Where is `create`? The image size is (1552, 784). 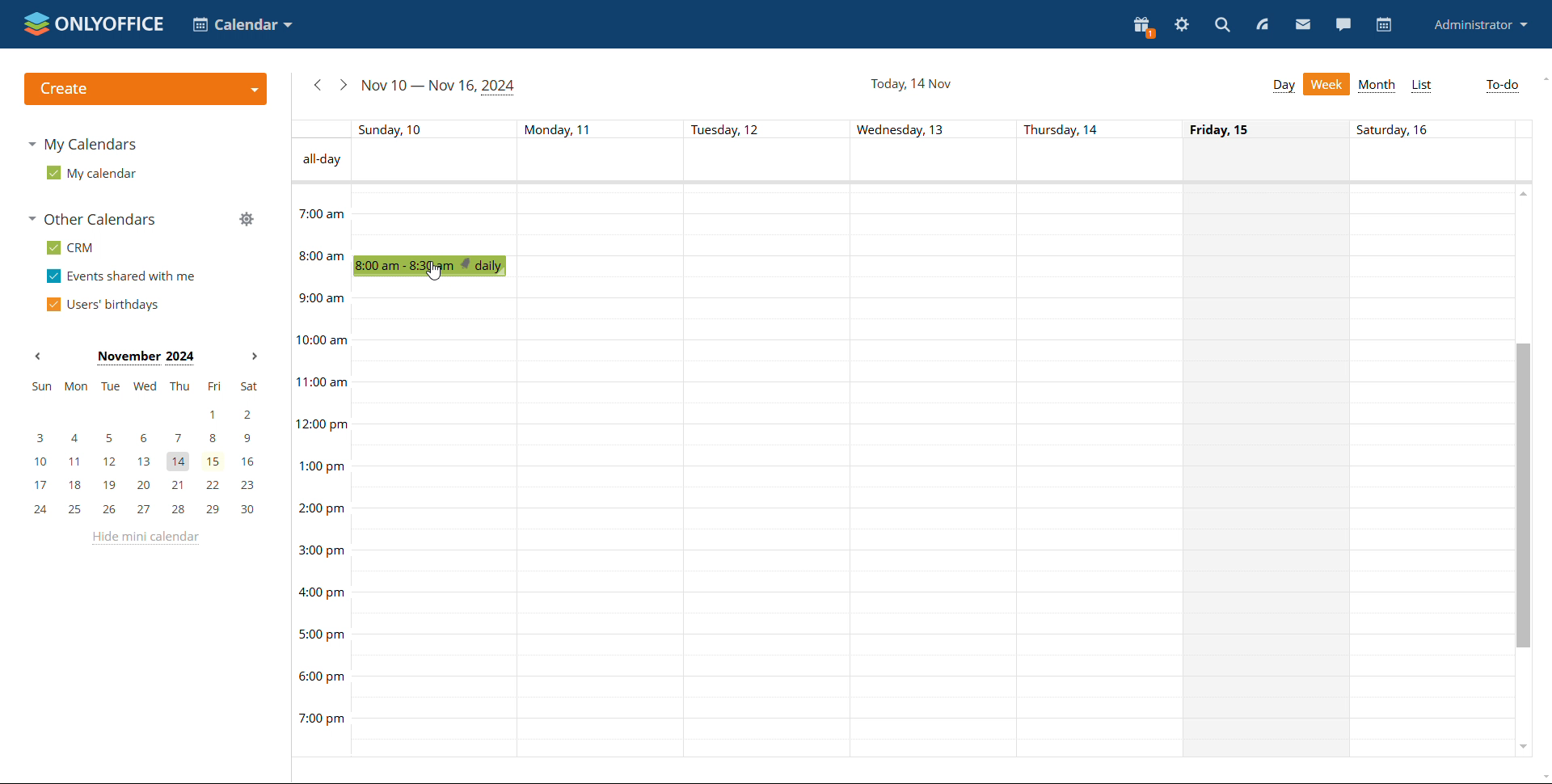
create is located at coordinates (145, 89).